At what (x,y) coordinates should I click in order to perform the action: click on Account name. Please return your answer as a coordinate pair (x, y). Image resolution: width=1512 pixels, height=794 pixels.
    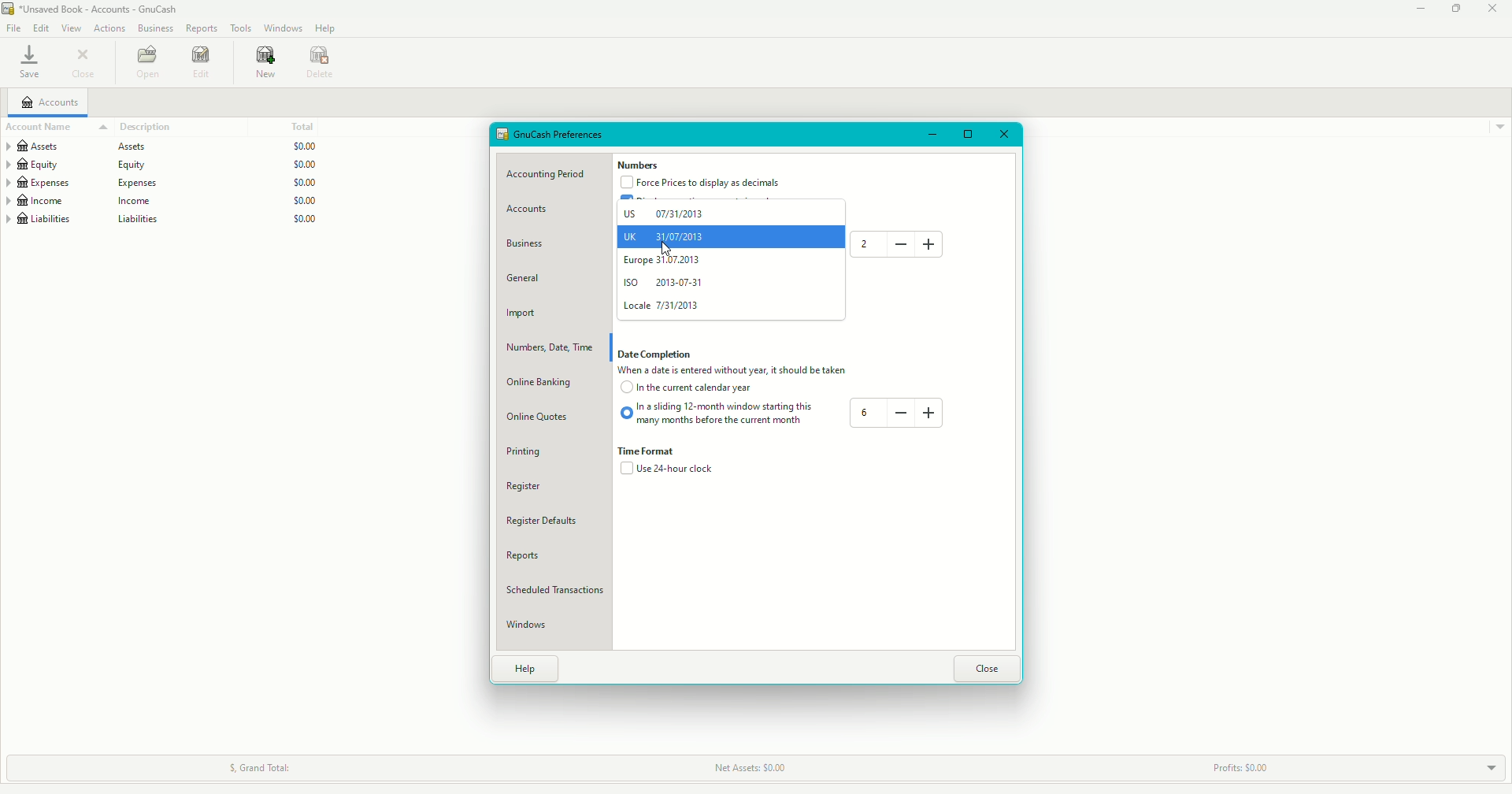
    Looking at the image, I should click on (42, 126).